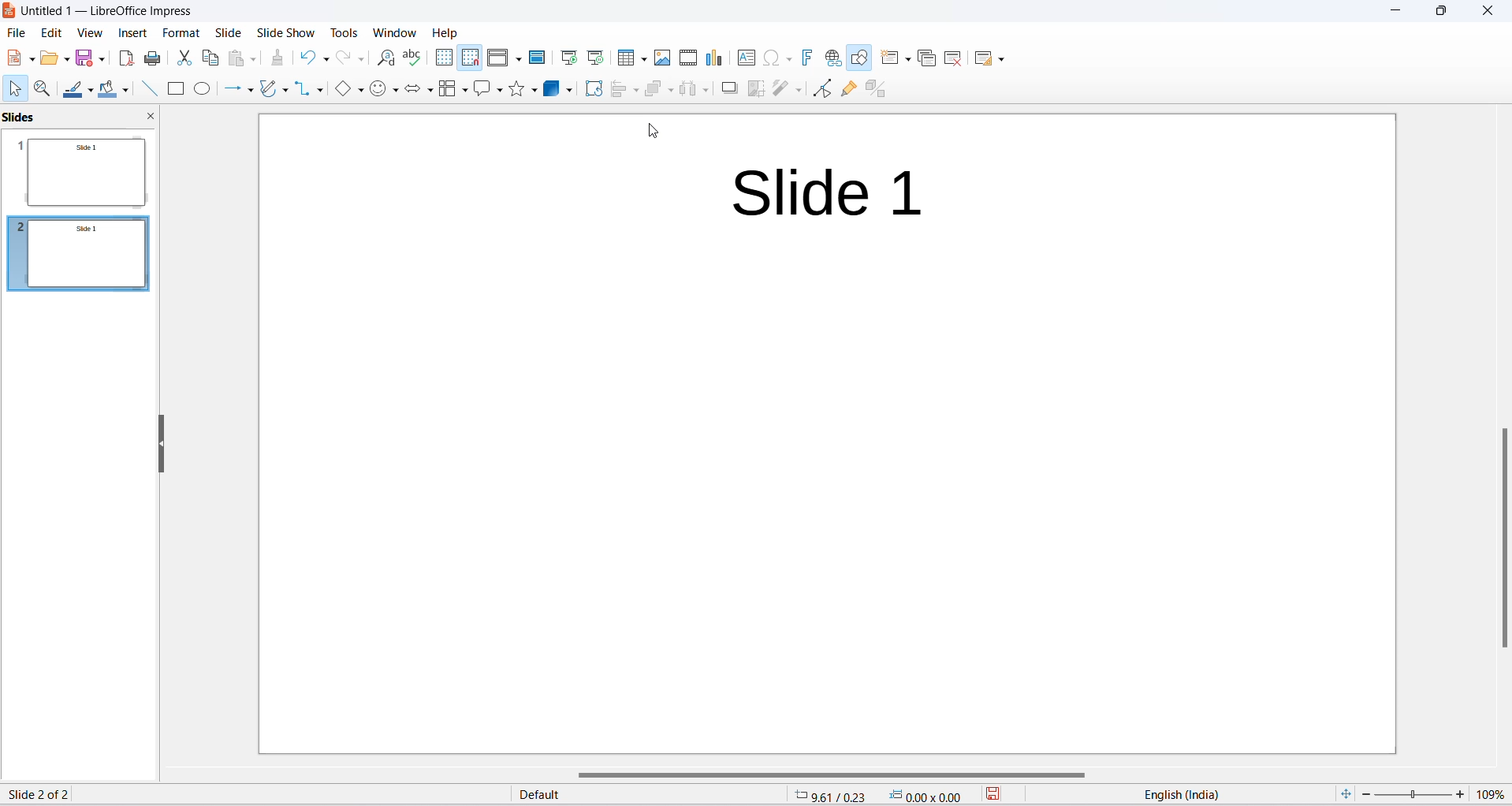  What do you see at coordinates (583, 797) in the screenshot?
I see `default` at bounding box center [583, 797].